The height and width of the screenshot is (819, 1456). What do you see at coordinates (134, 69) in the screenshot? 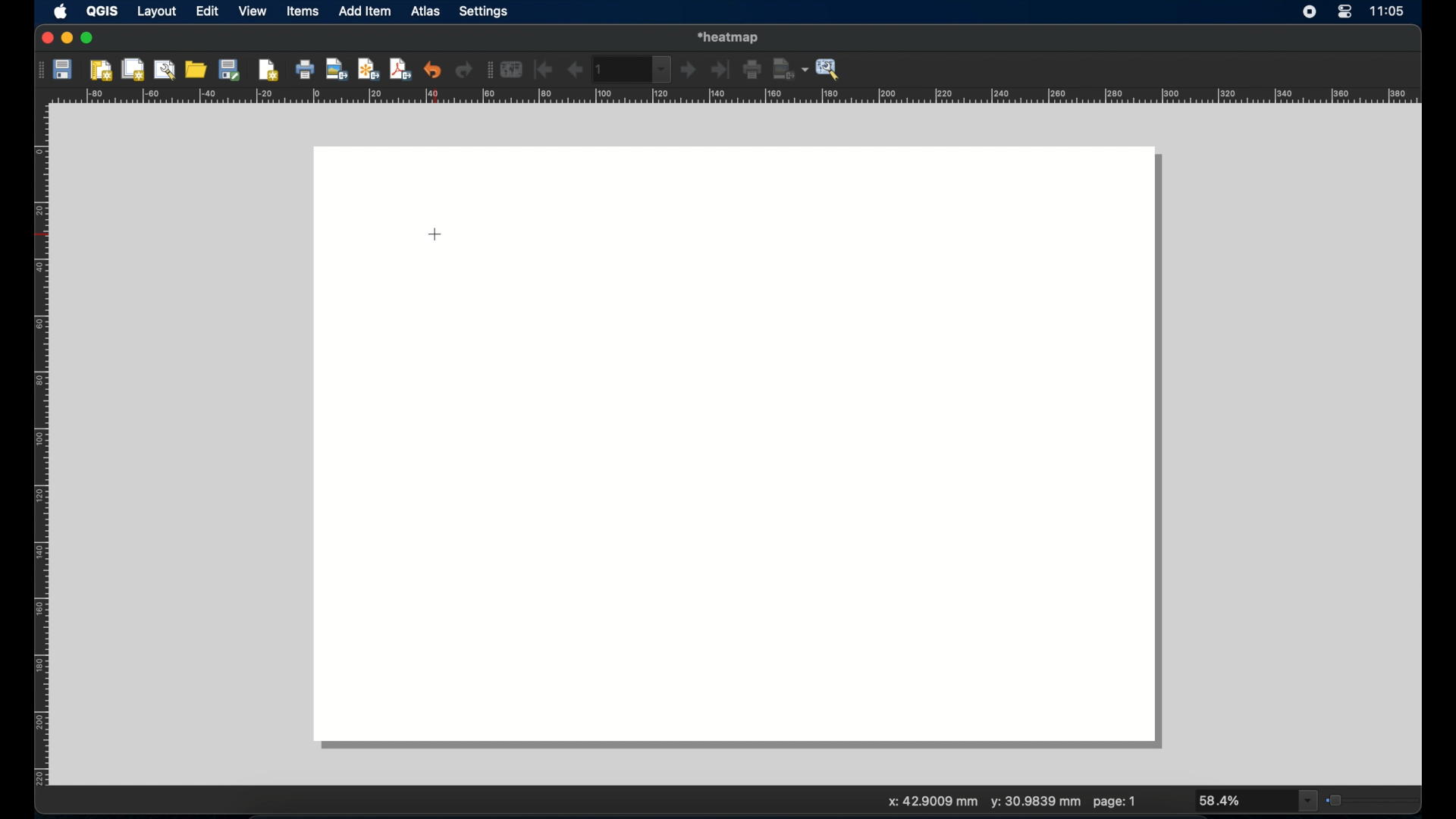
I see `duplicate layout` at bounding box center [134, 69].